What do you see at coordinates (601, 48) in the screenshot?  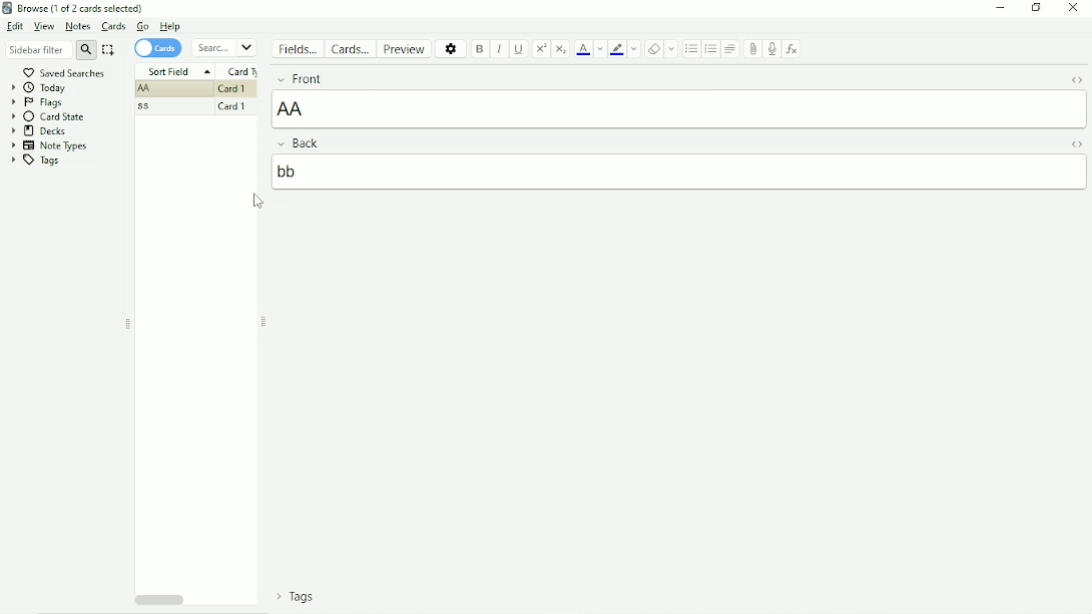 I see `Change color` at bounding box center [601, 48].